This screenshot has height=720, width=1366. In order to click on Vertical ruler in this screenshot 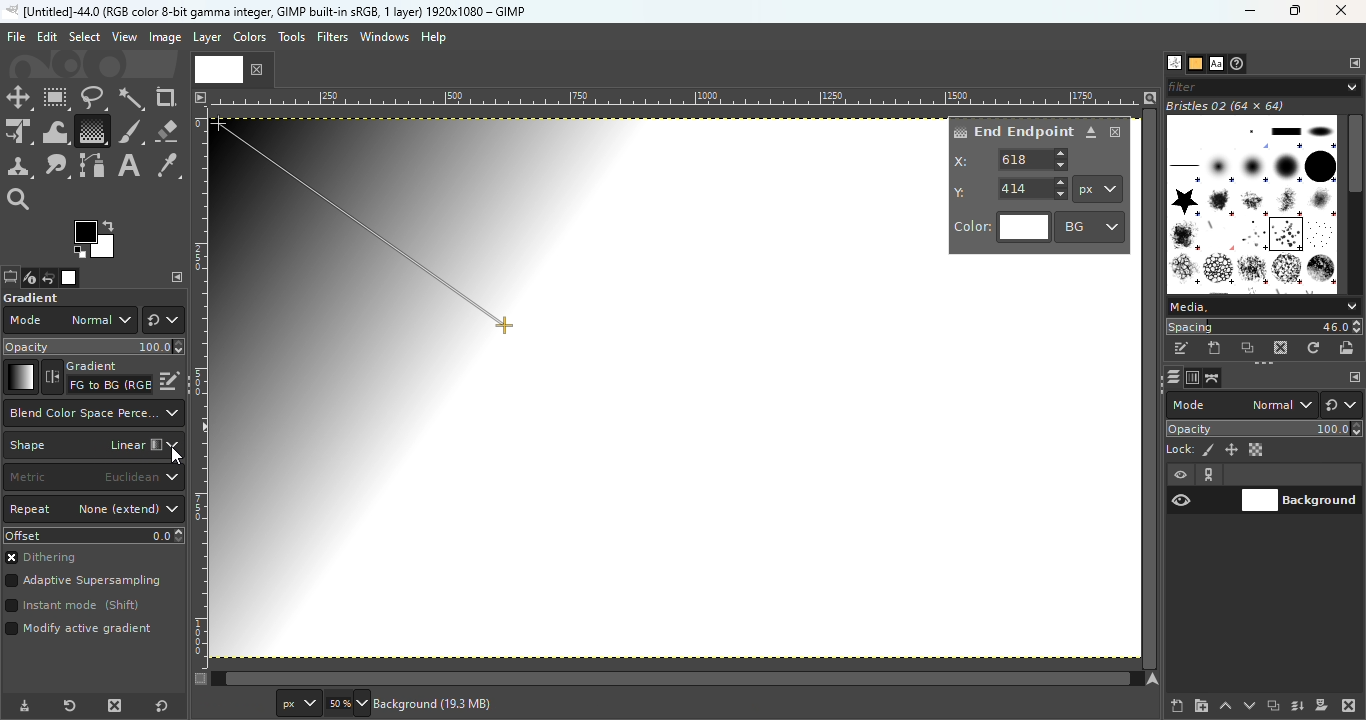, I will do `click(200, 387)`.